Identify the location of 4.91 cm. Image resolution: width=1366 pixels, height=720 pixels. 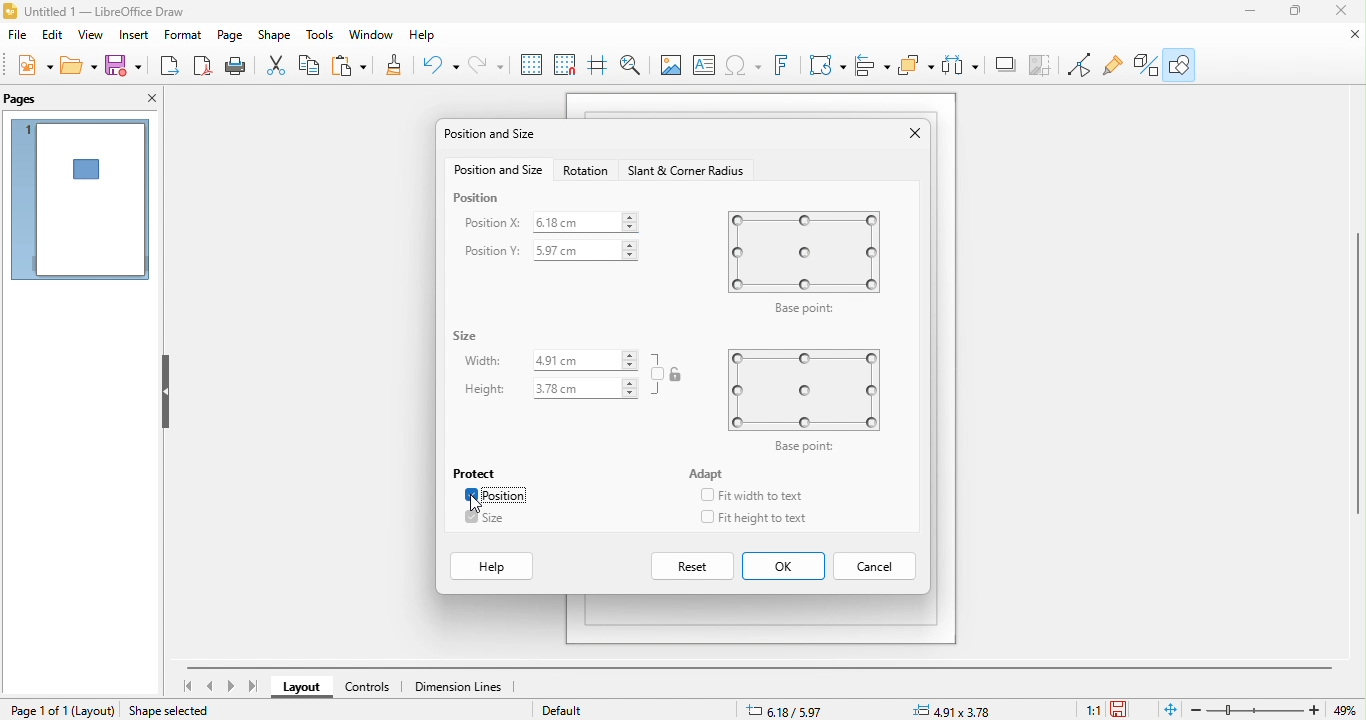
(586, 360).